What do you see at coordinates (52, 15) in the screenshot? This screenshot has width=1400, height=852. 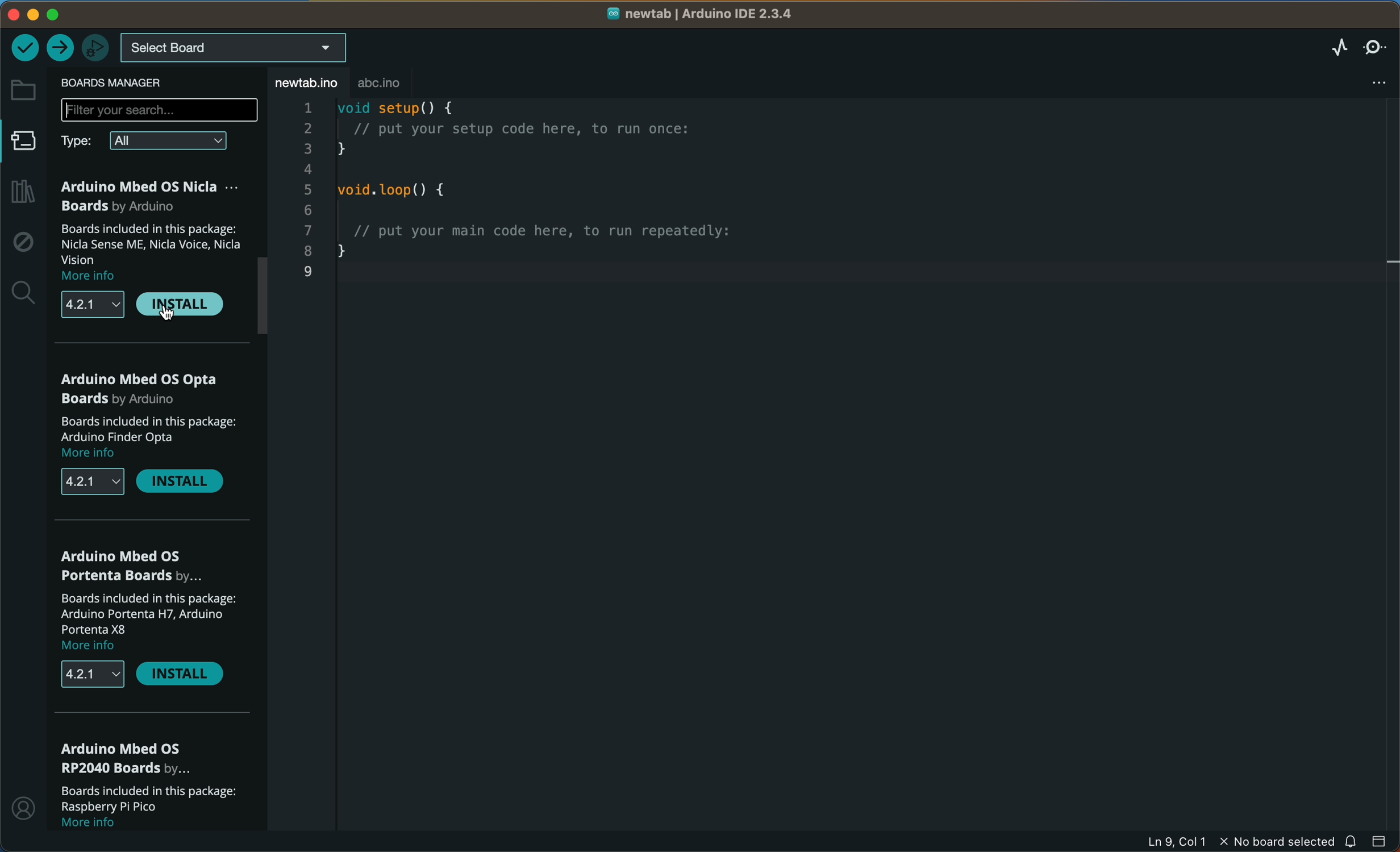 I see `windows control` at bounding box center [52, 15].